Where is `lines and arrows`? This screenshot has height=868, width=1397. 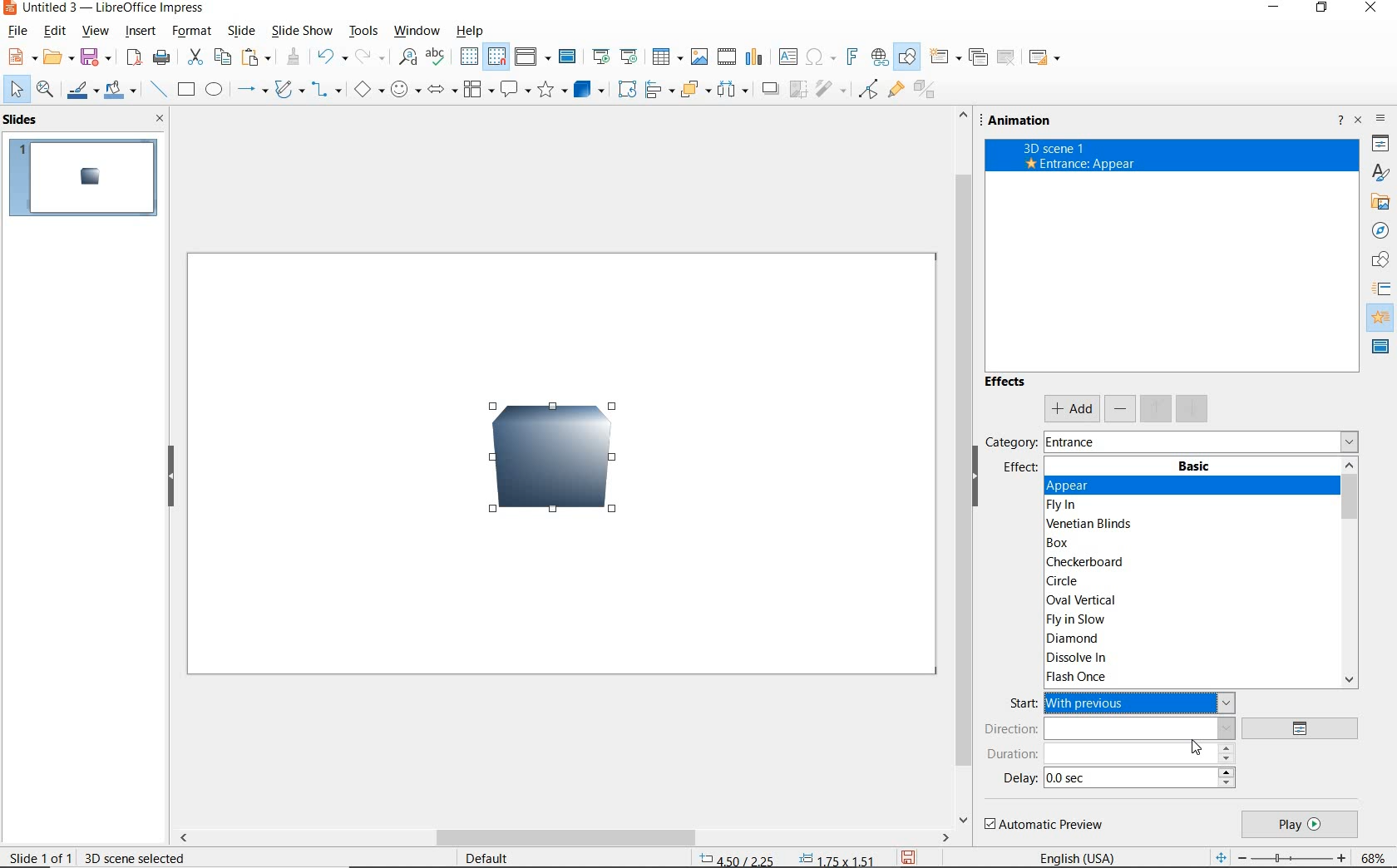 lines and arrows is located at coordinates (252, 92).